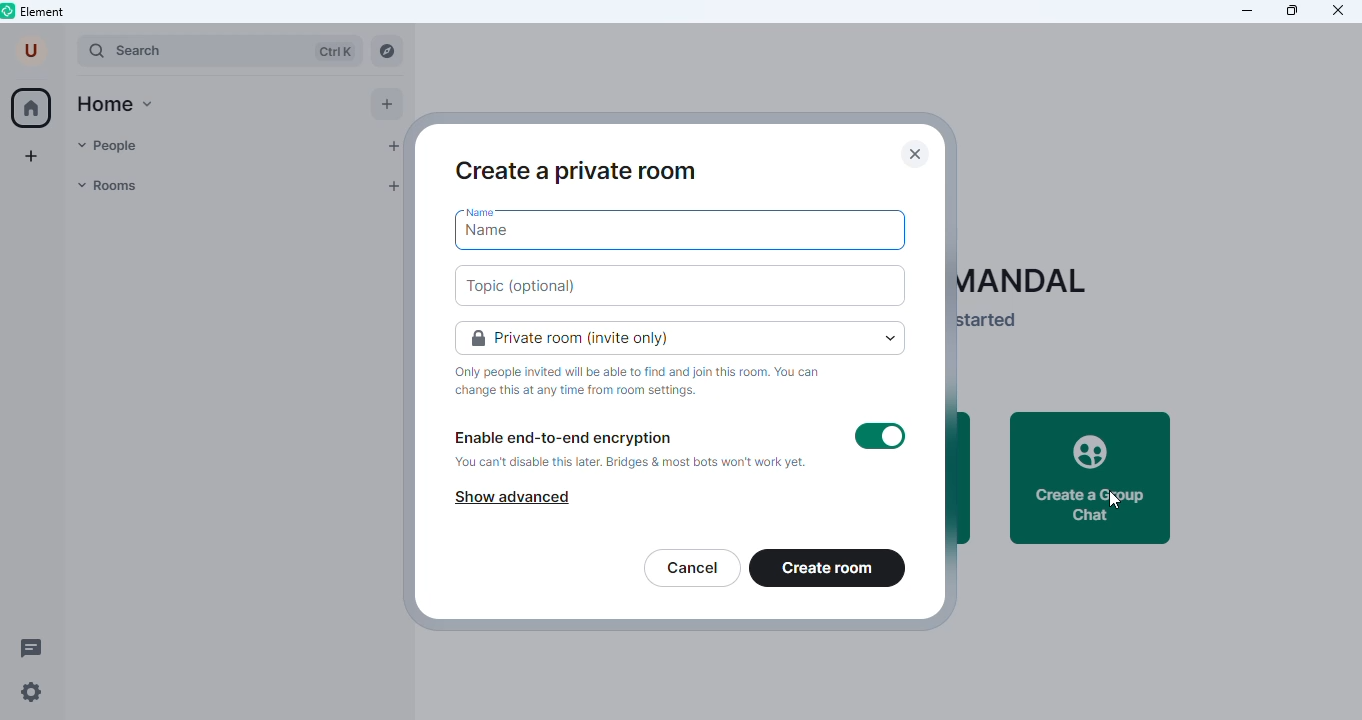 The height and width of the screenshot is (720, 1362). Describe the element at coordinates (1021, 298) in the screenshot. I see `text` at that location.